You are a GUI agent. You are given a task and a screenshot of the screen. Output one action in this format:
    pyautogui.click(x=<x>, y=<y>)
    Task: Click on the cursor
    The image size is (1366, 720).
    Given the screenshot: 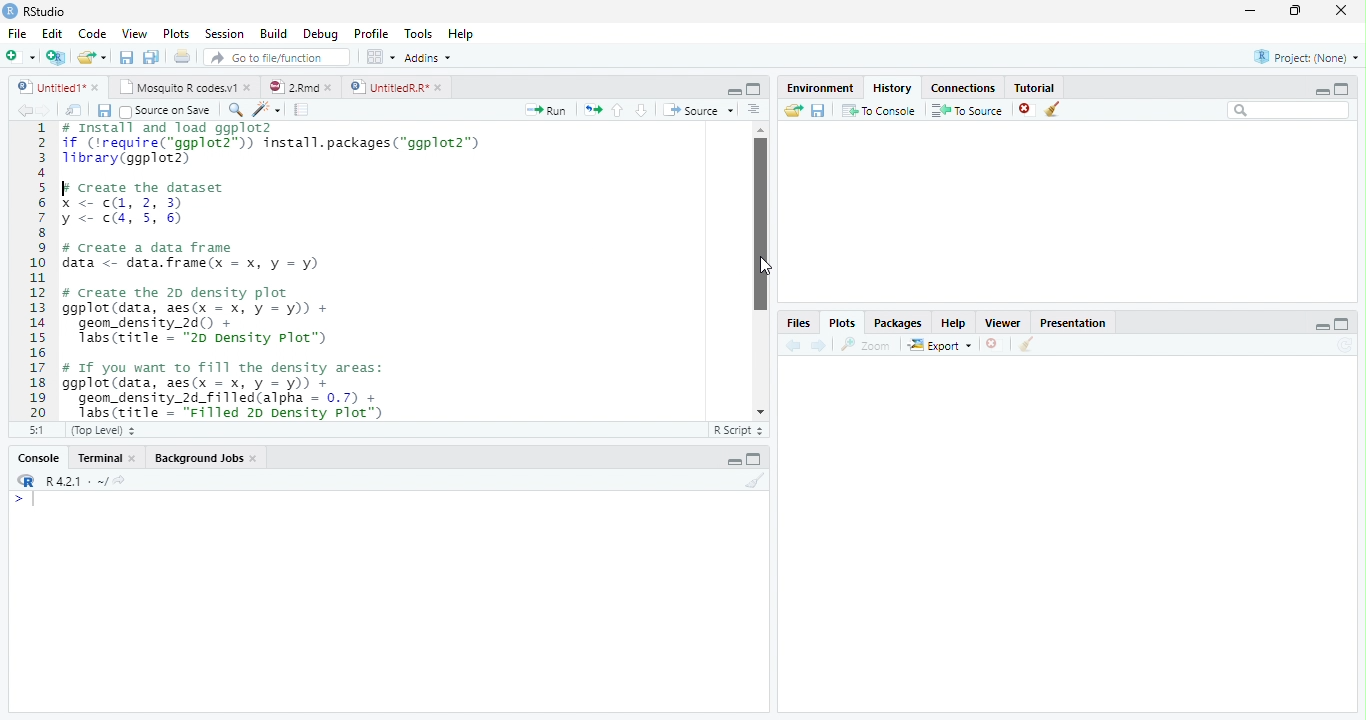 What is the action you would take?
    pyautogui.click(x=766, y=265)
    